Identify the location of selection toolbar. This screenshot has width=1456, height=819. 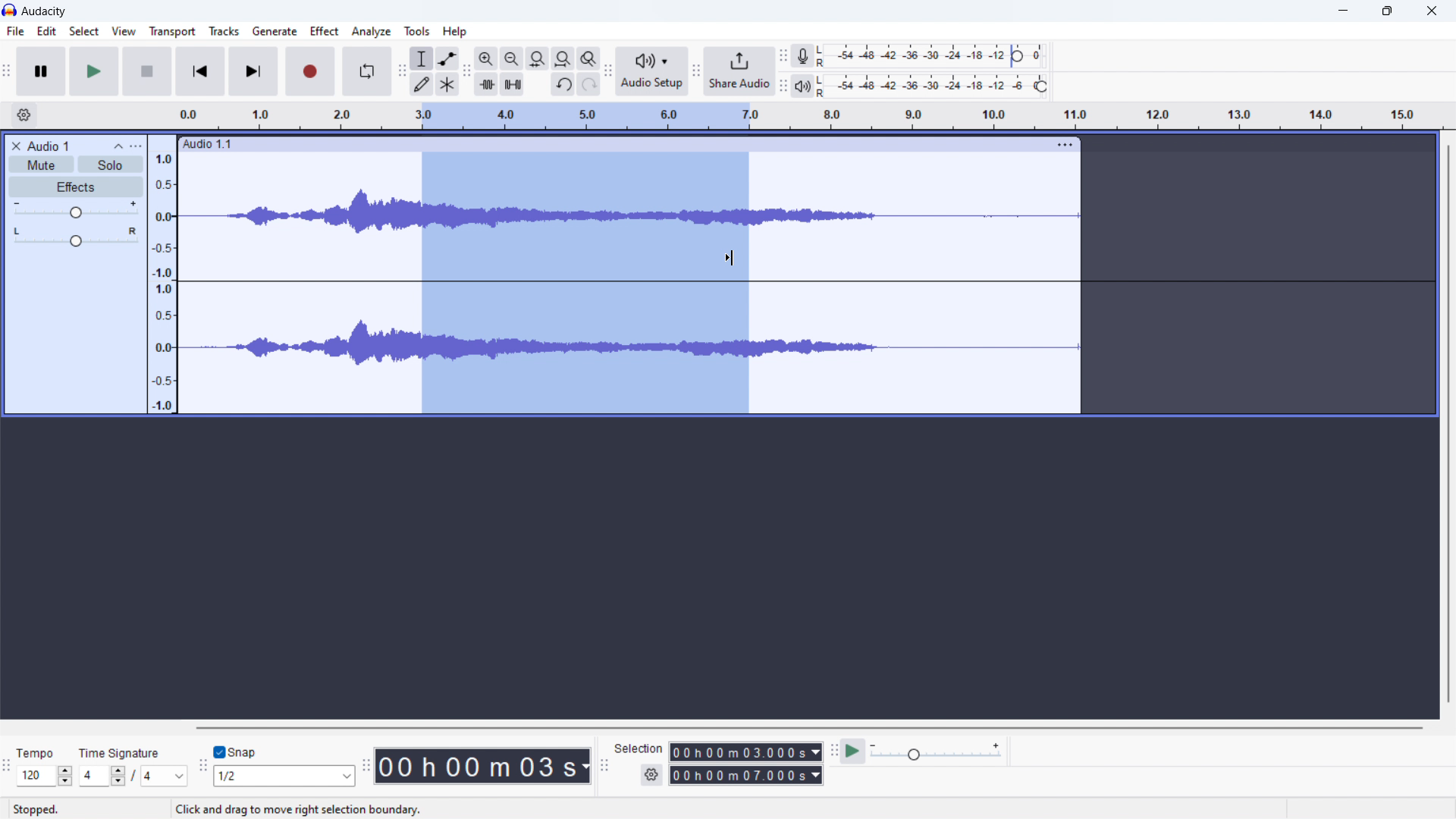
(604, 766).